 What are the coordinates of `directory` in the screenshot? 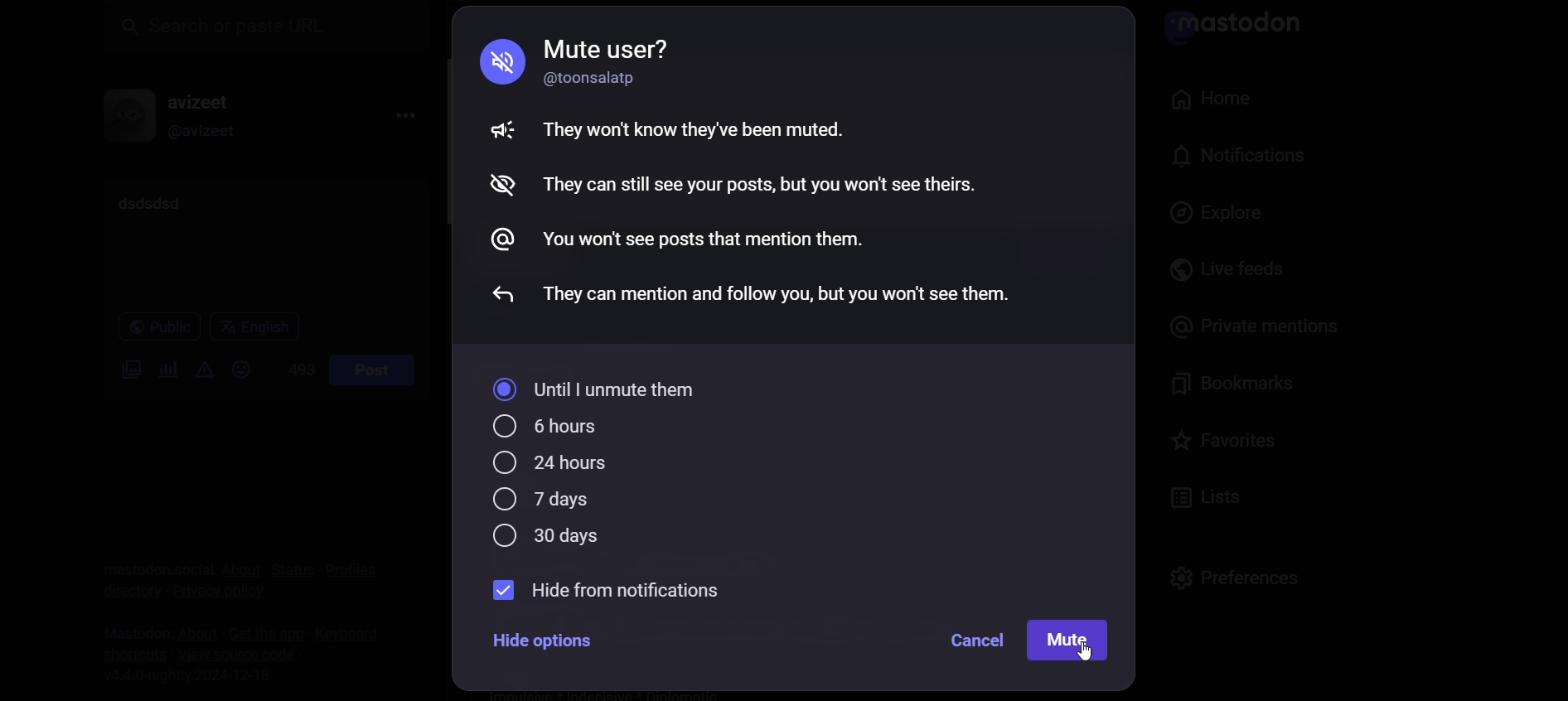 It's located at (122, 594).